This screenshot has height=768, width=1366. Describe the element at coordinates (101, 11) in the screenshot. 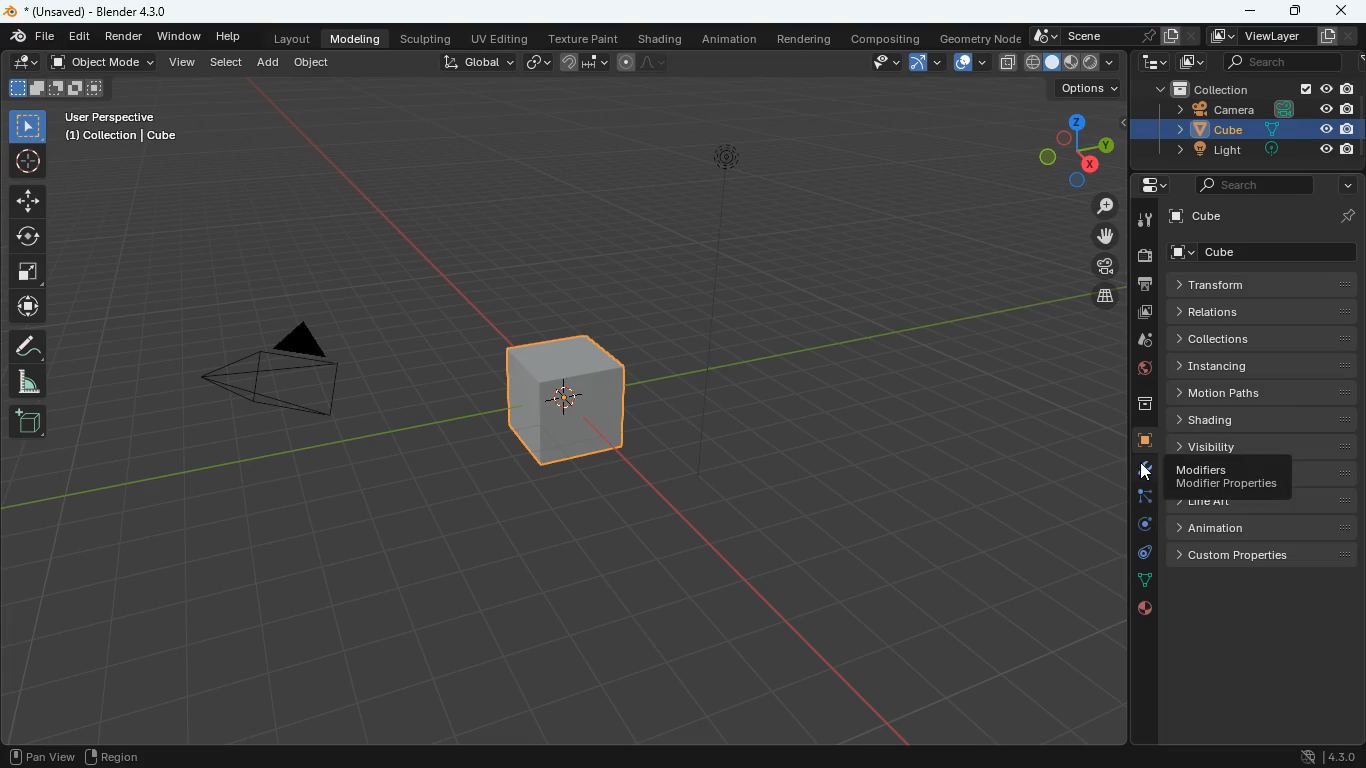

I see `` at that location.